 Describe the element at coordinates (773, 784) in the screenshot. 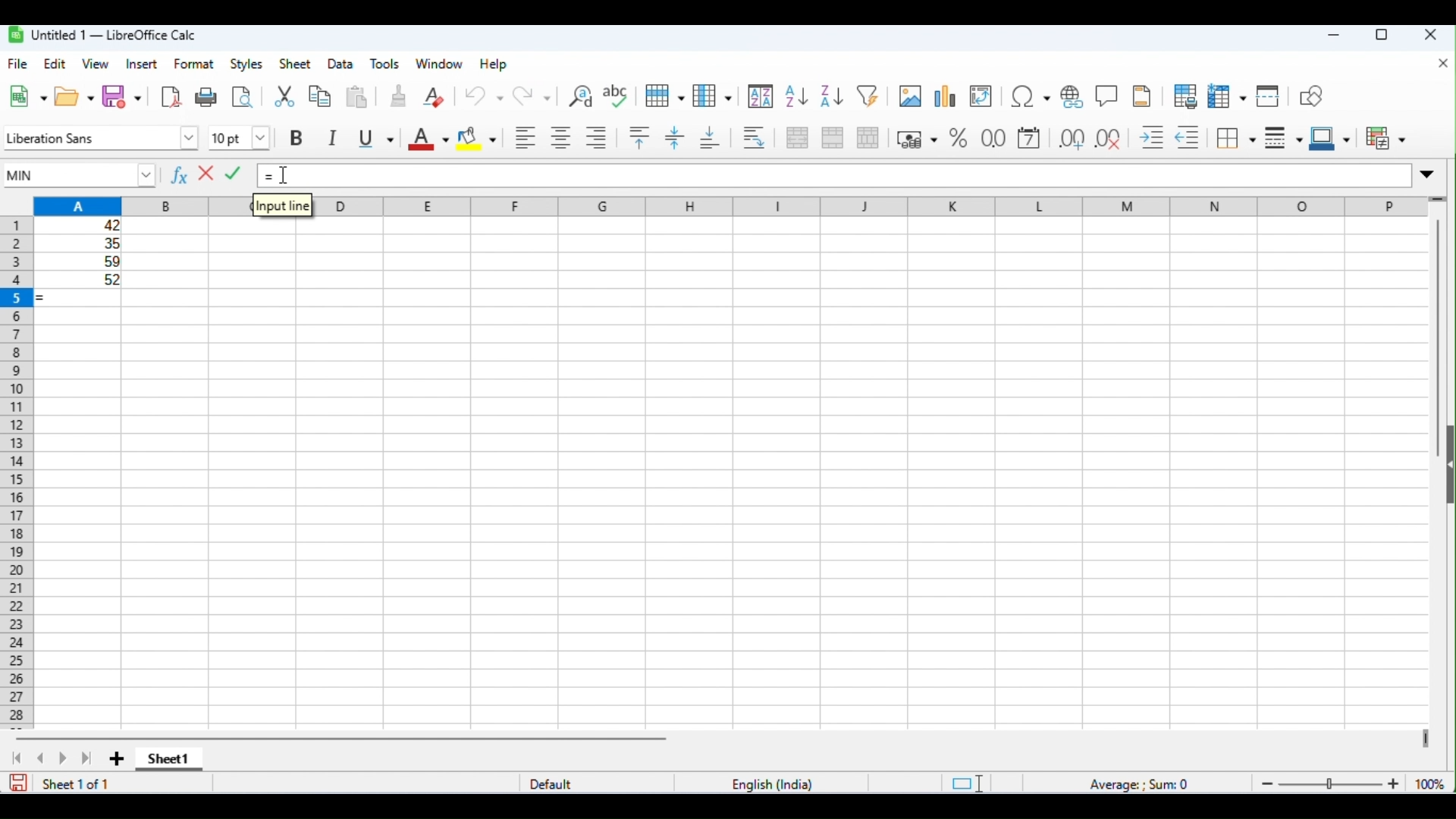

I see `language` at that location.